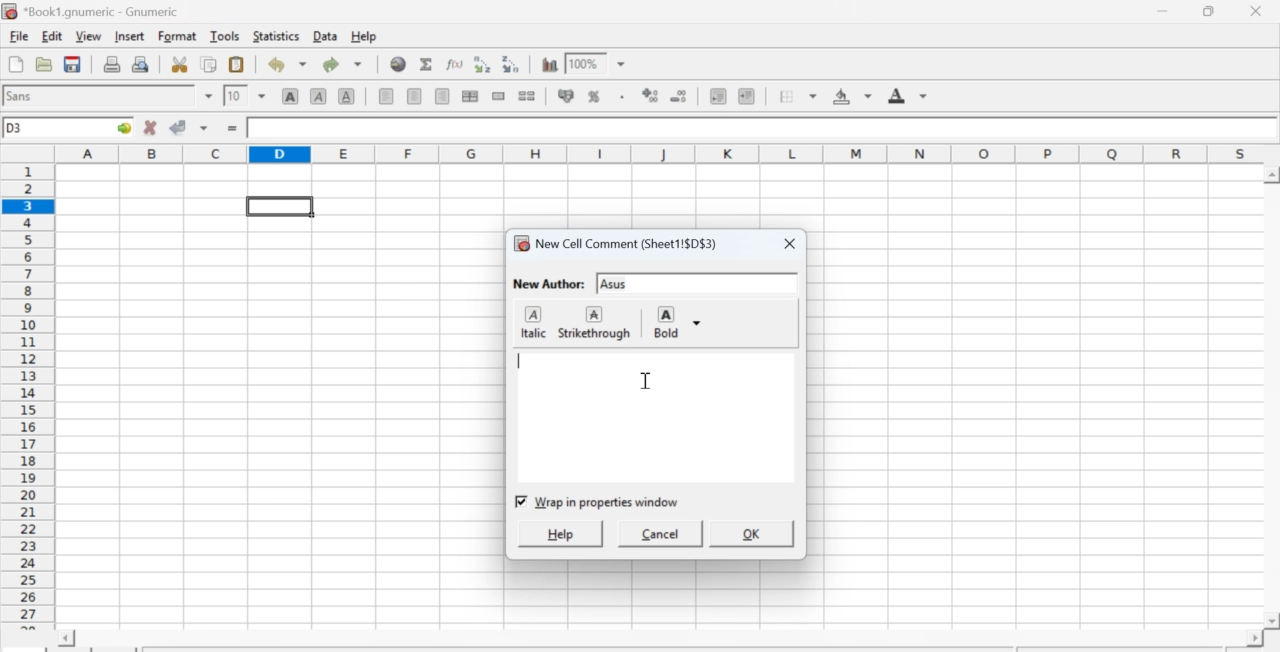 The height and width of the screenshot is (652, 1280). What do you see at coordinates (908, 97) in the screenshot?
I see `Foreground` at bounding box center [908, 97].